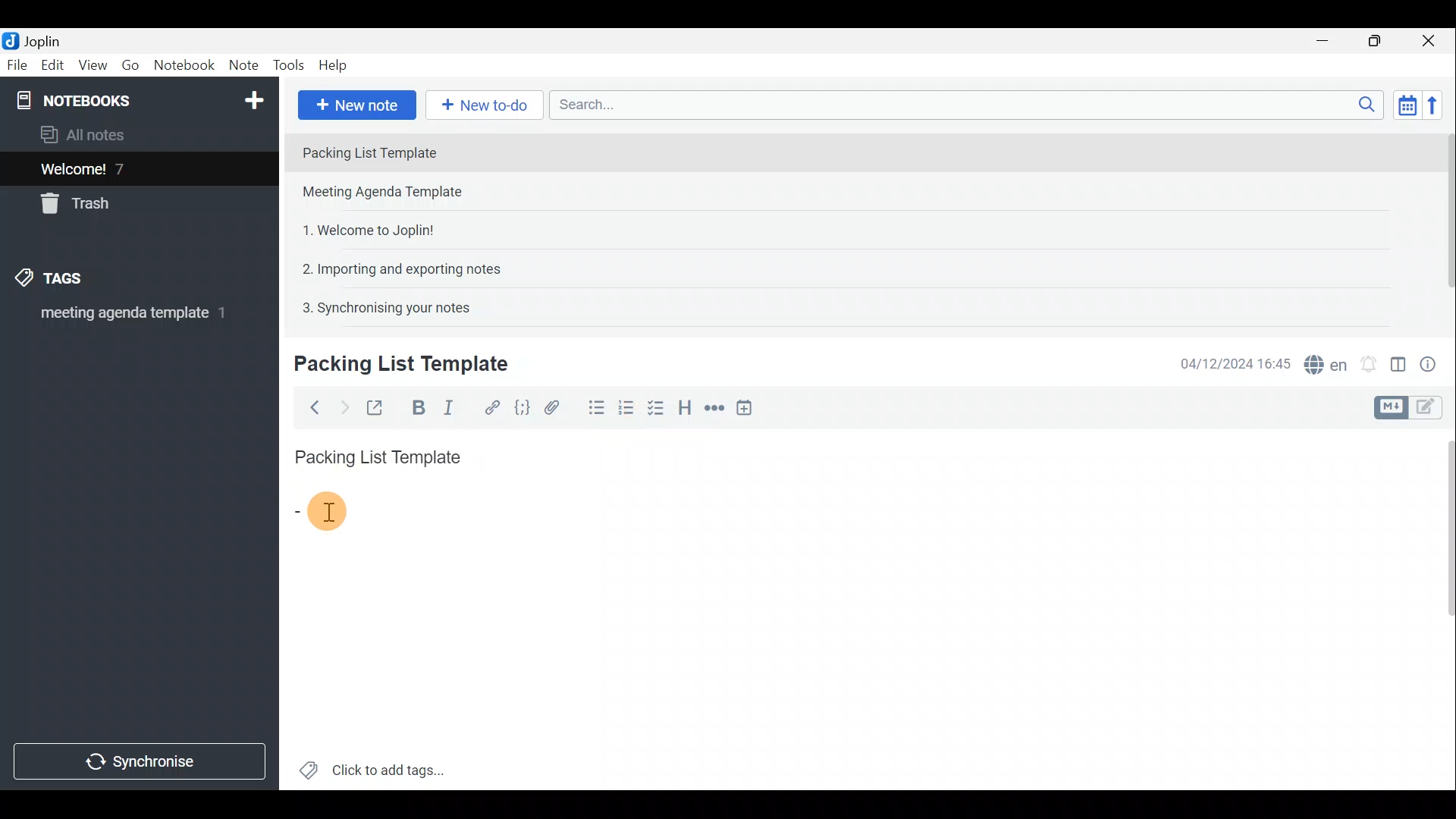 The width and height of the screenshot is (1456, 819). What do you see at coordinates (1380, 41) in the screenshot?
I see `Maximise` at bounding box center [1380, 41].